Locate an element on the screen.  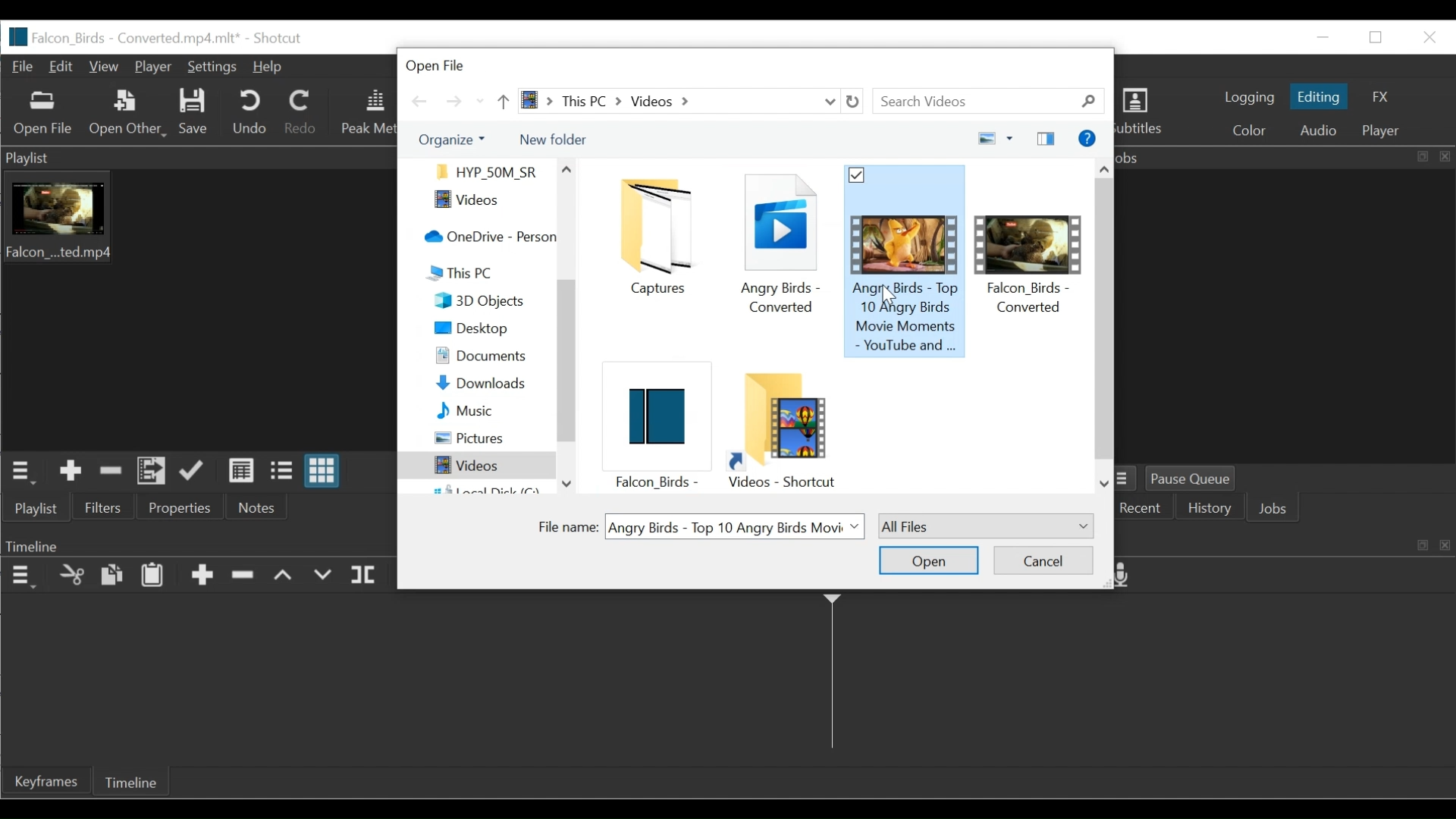
Peak Meter is located at coordinates (366, 113).